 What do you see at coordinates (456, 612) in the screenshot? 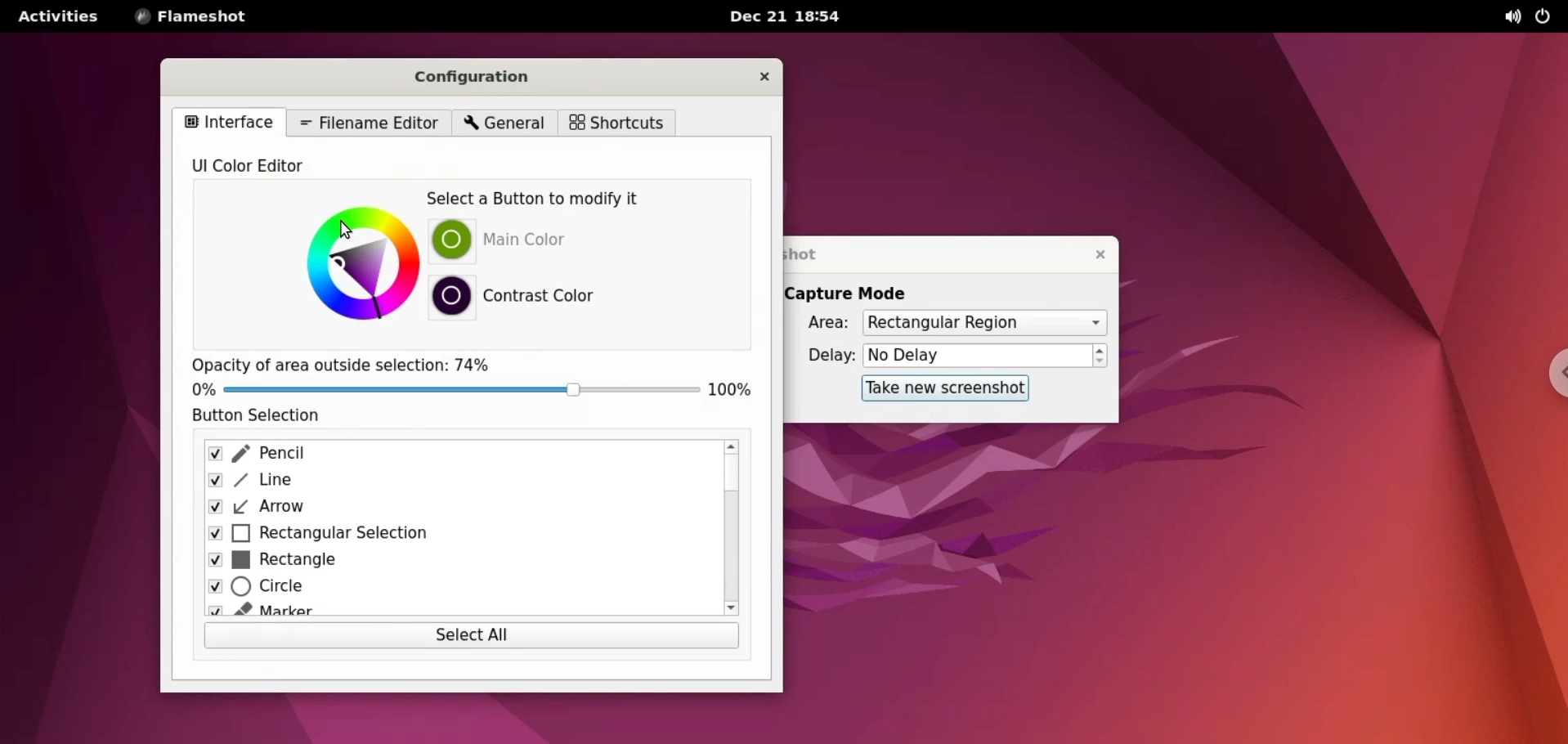
I see `marker checkbox` at bounding box center [456, 612].